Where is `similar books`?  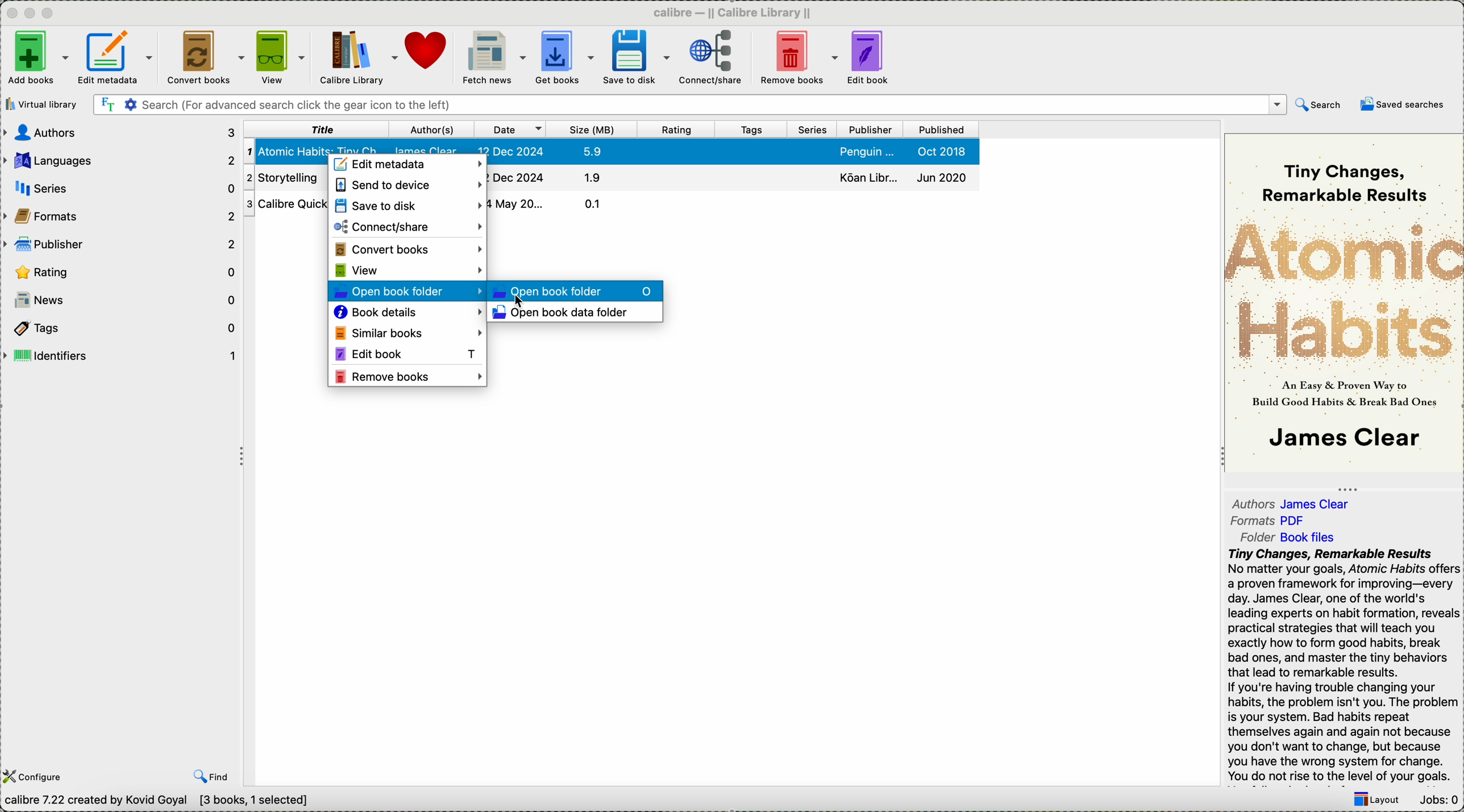 similar books is located at coordinates (406, 332).